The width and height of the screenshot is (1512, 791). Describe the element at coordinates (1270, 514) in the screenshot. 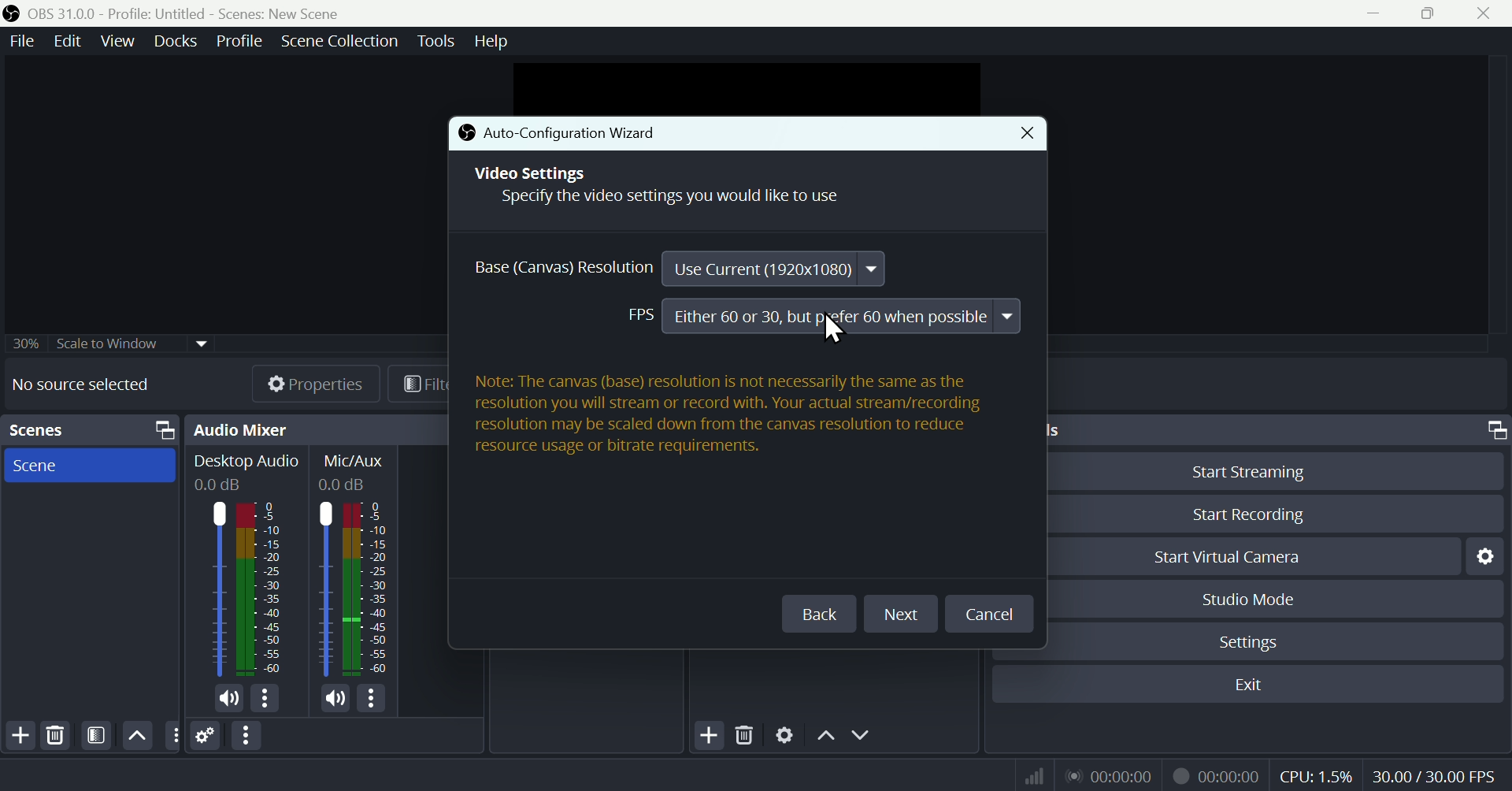

I see `Start Recording` at that location.